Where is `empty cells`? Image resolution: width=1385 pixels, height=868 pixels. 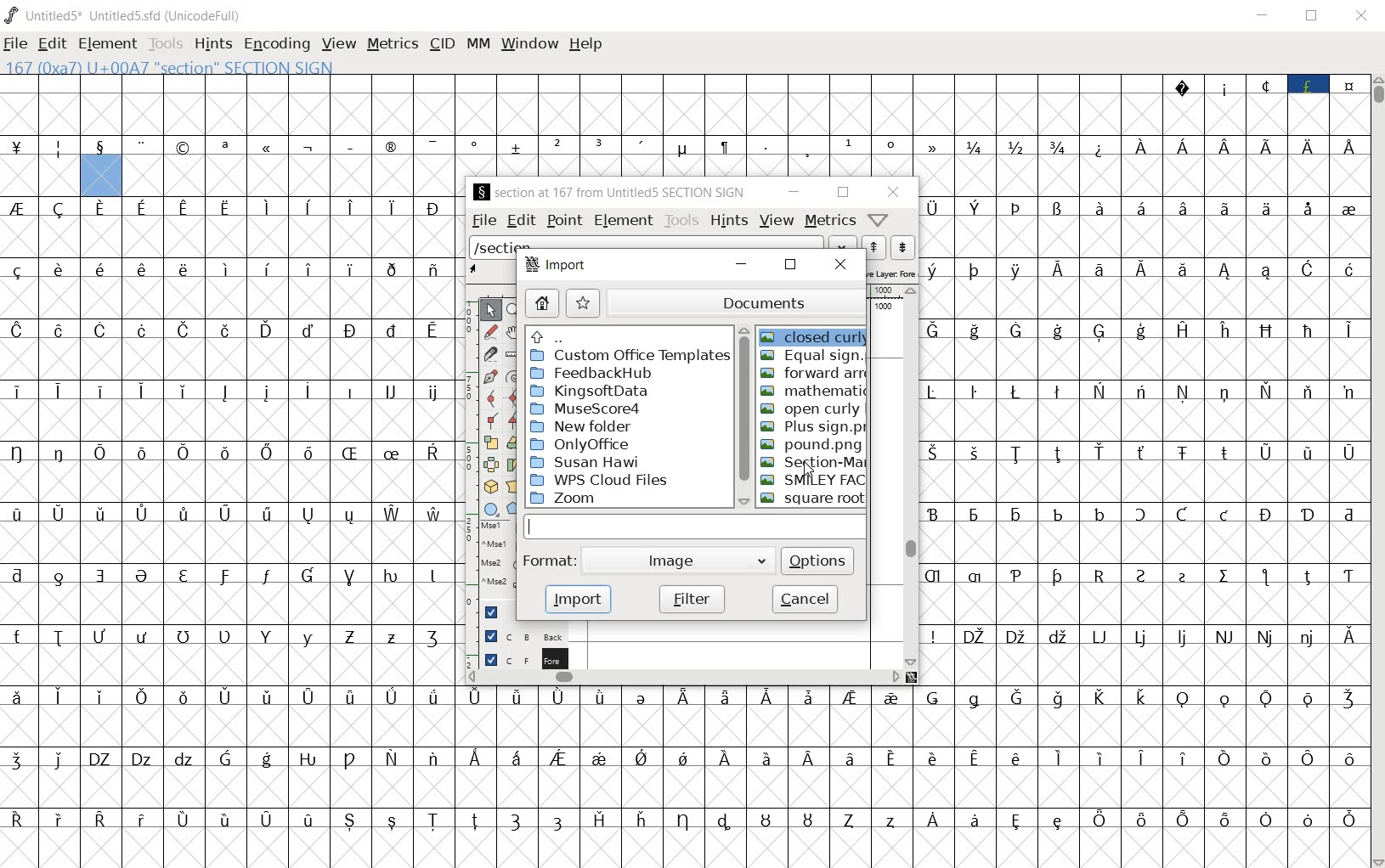
empty cells is located at coordinates (41, 177).